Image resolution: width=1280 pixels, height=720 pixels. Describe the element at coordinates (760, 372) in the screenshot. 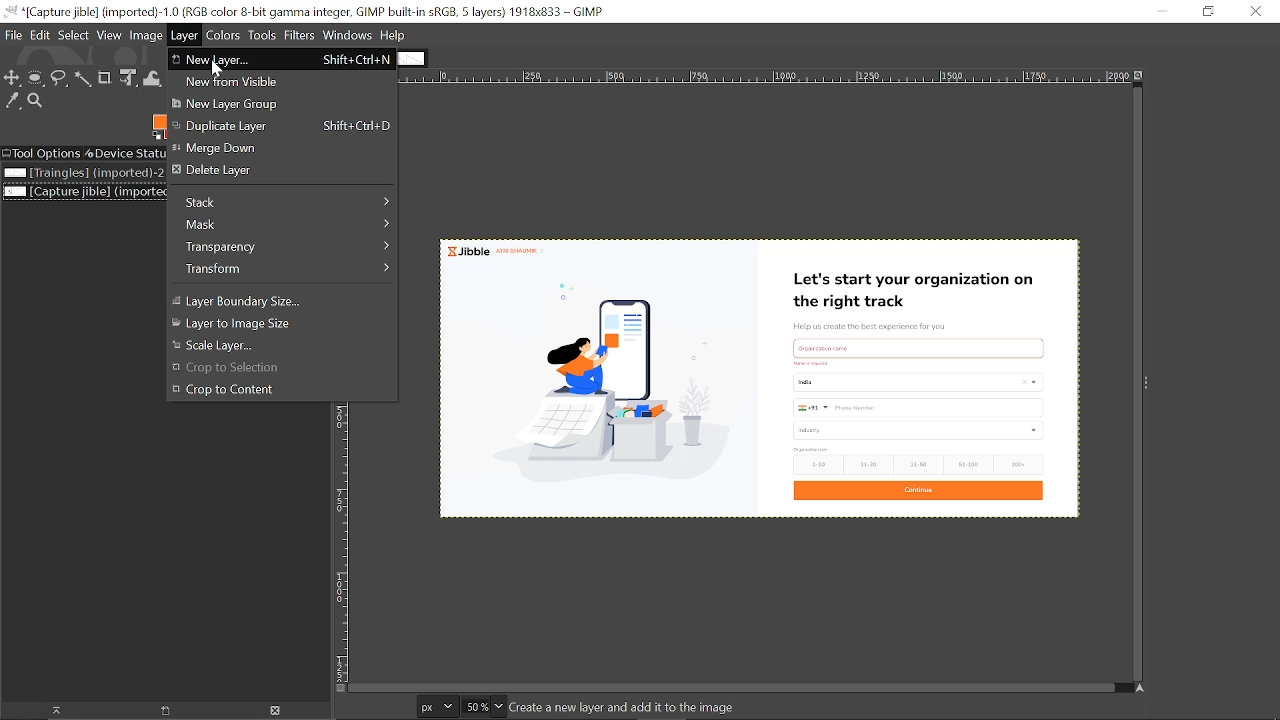

I see `Current image` at that location.